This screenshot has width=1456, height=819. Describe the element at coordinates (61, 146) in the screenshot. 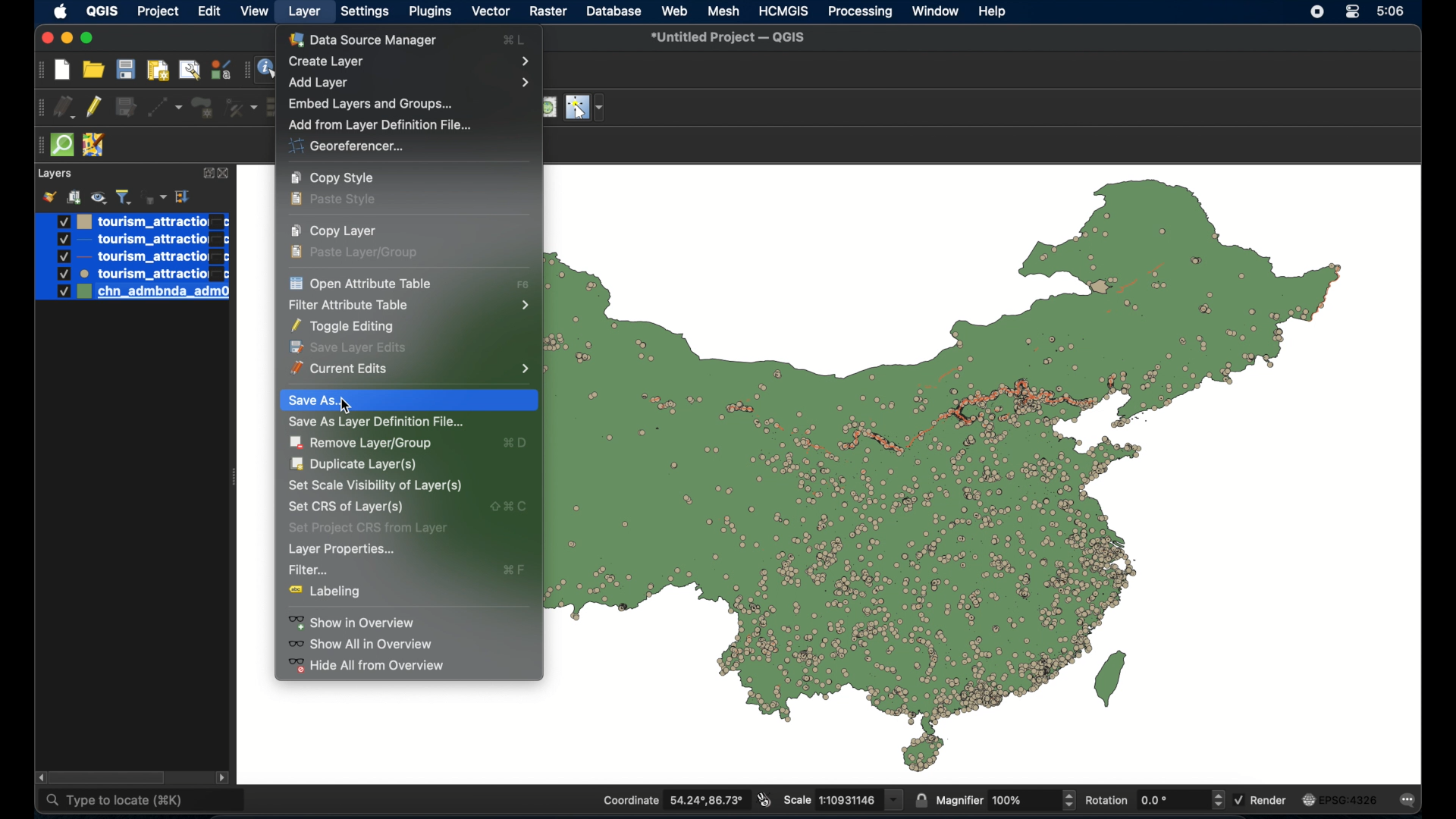

I see `quick osm` at that location.